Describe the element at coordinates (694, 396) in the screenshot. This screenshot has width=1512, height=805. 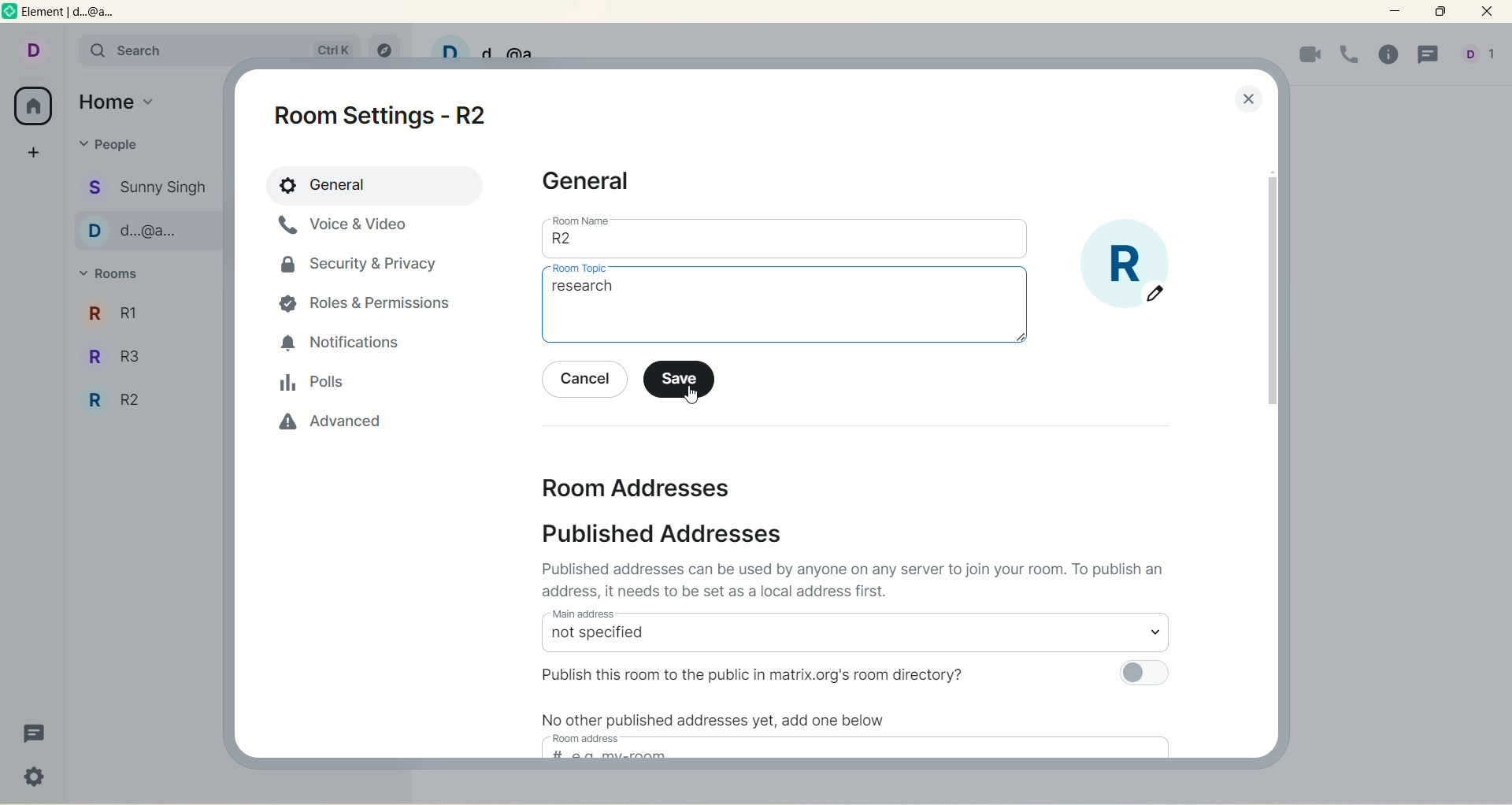
I see `cursor` at that location.